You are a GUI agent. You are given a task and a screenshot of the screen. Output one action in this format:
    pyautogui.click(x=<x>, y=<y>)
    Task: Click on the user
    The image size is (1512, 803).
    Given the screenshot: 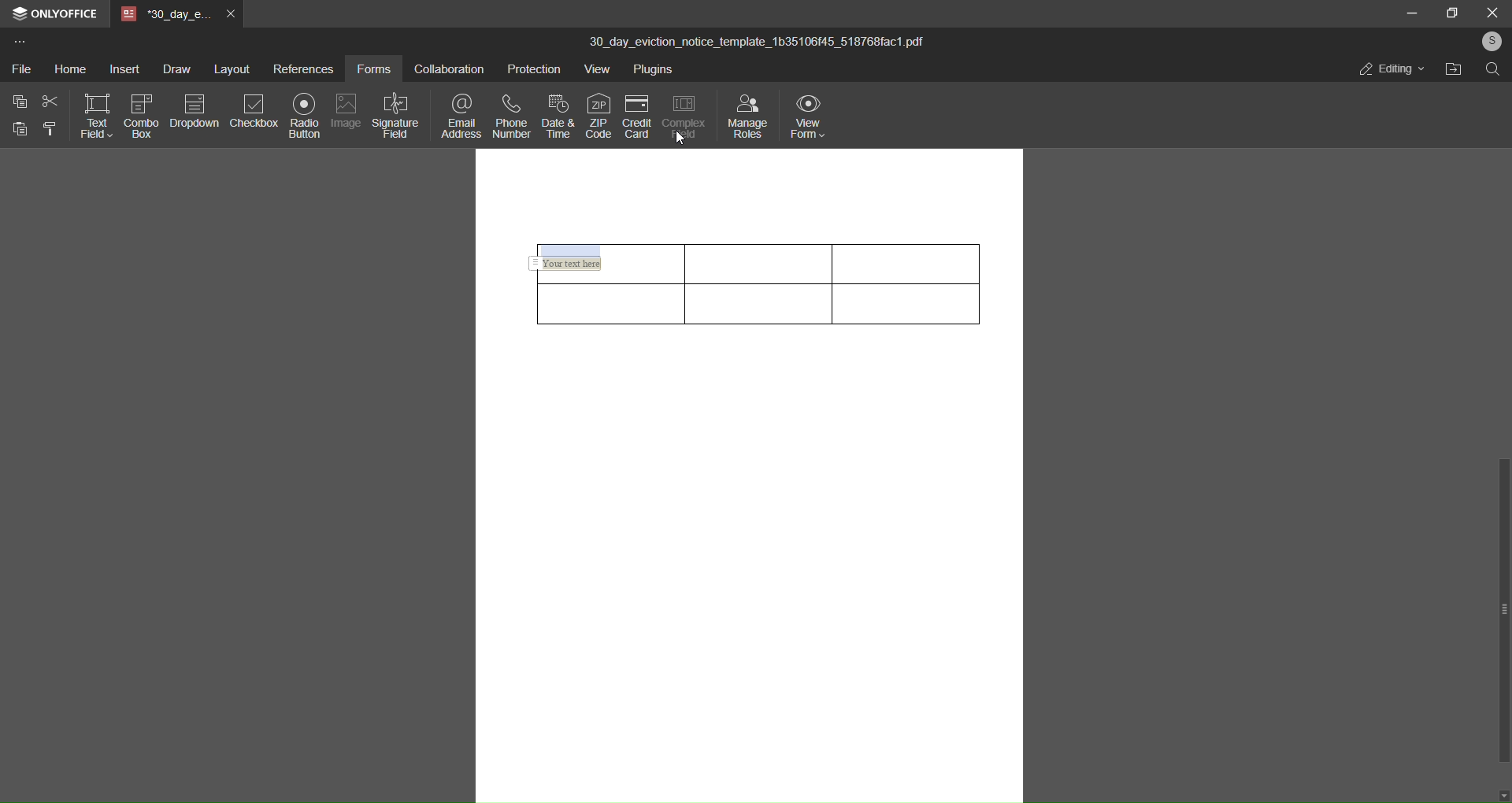 What is the action you would take?
    pyautogui.click(x=1489, y=41)
    